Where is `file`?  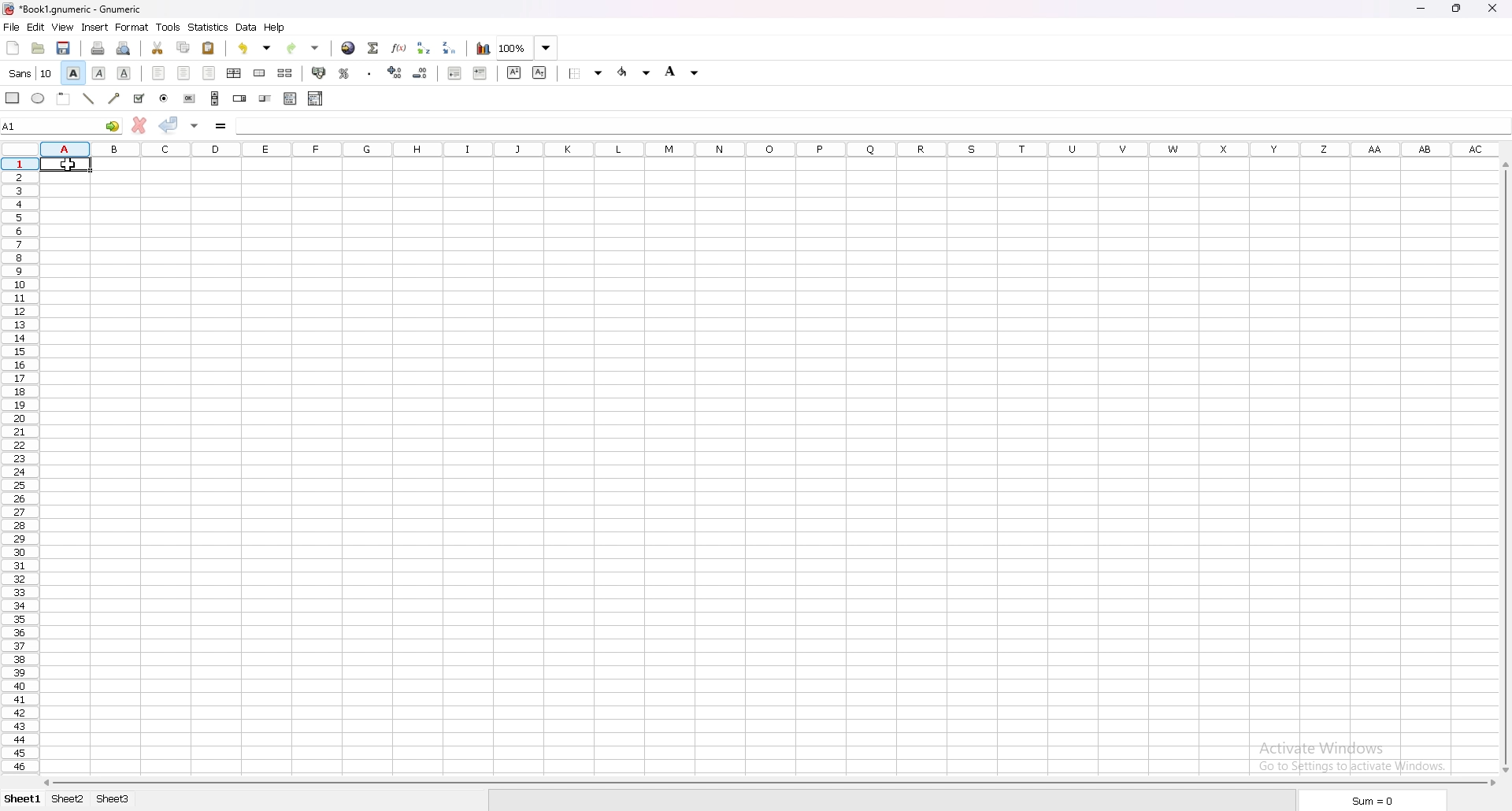
file is located at coordinates (12, 27).